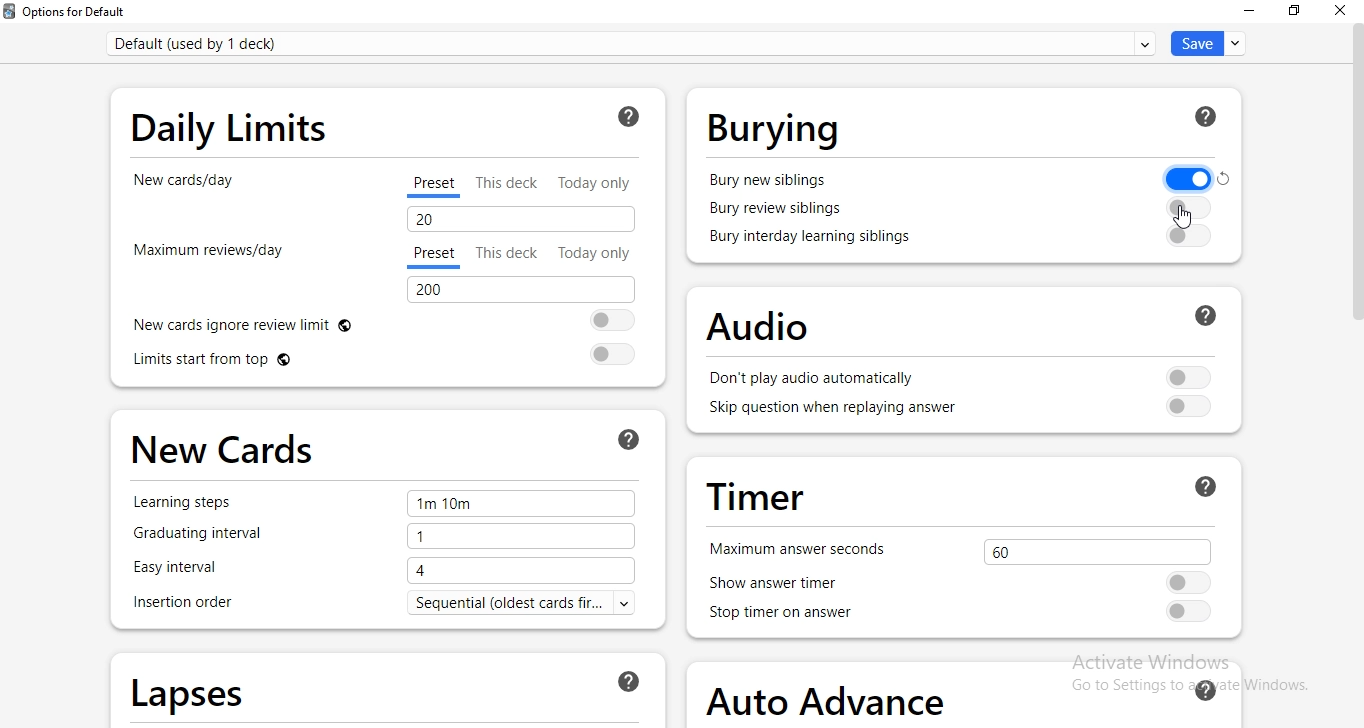 Image resolution: width=1364 pixels, height=728 pixels. What do you see at coordinates (512, 183) in the screenshot?
I see `this deck` at bounding box center [512, 183].